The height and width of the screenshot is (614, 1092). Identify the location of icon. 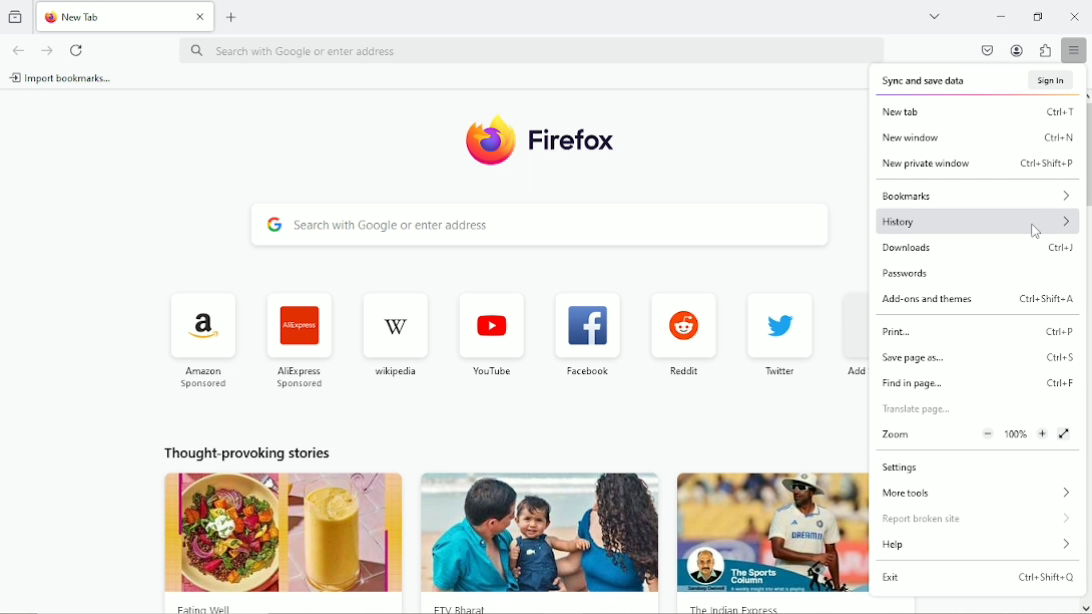
(684, 325).